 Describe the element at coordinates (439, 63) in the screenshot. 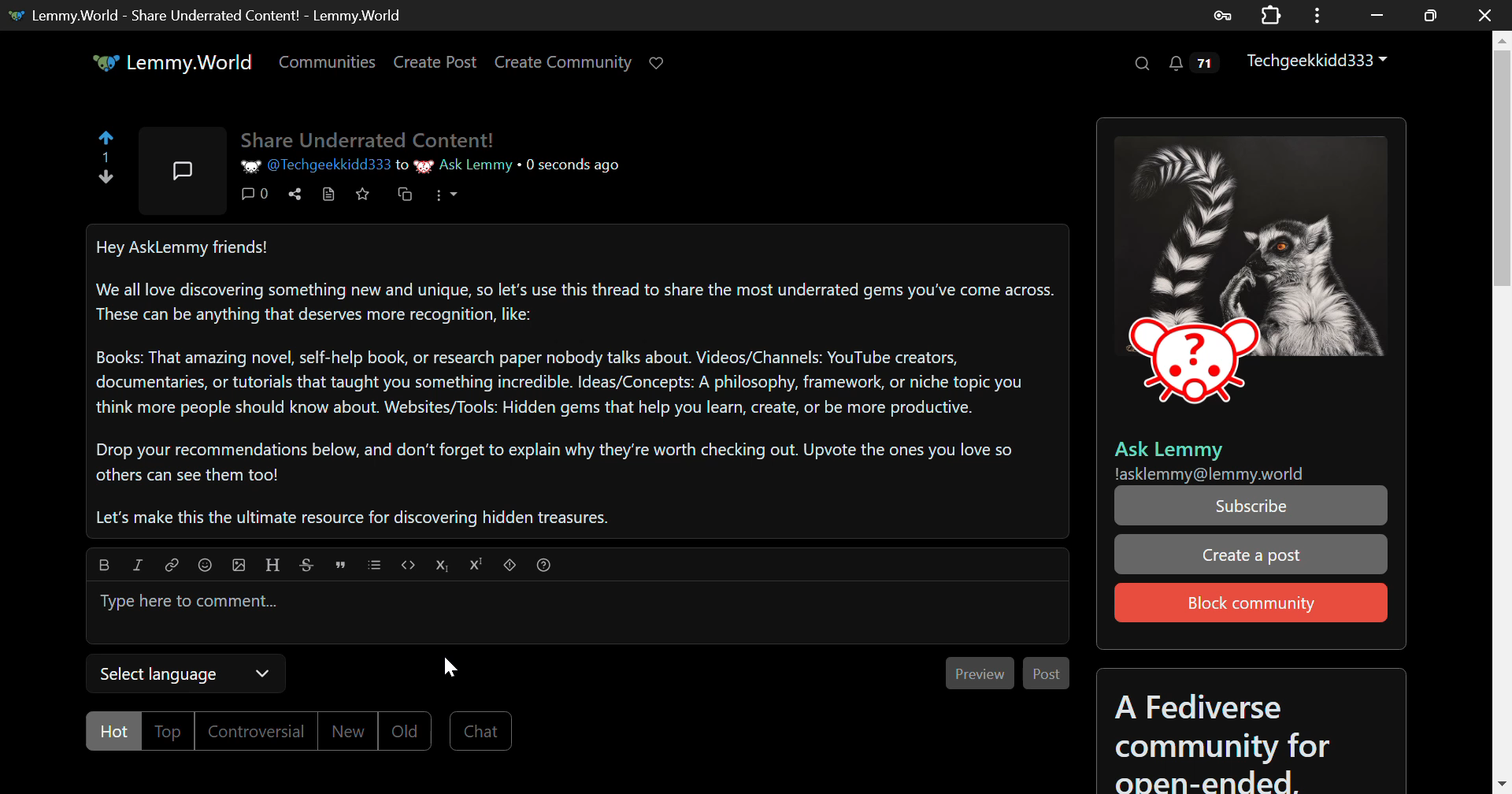

I see `Create Post` at that location.